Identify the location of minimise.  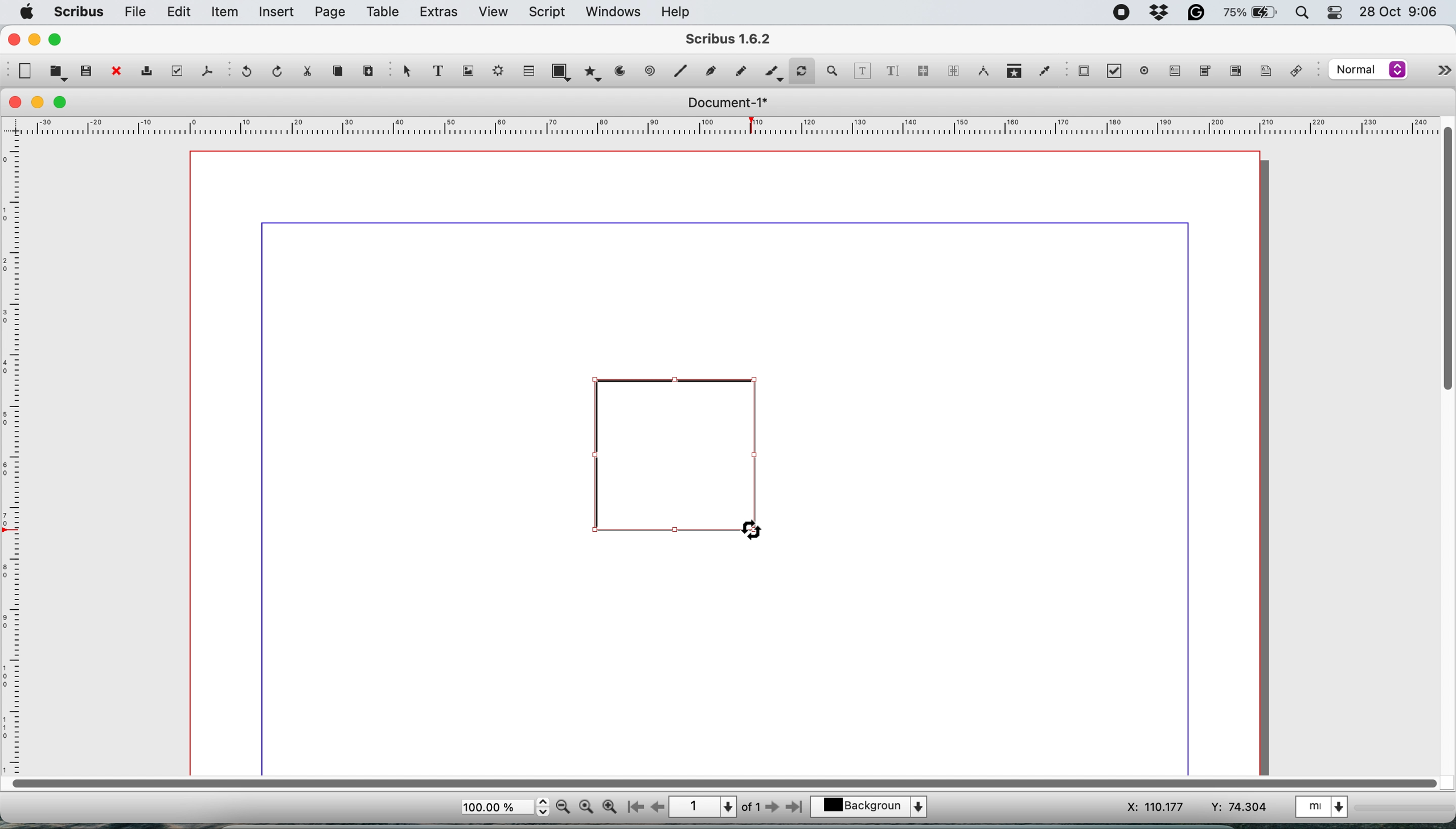
(35, 40).